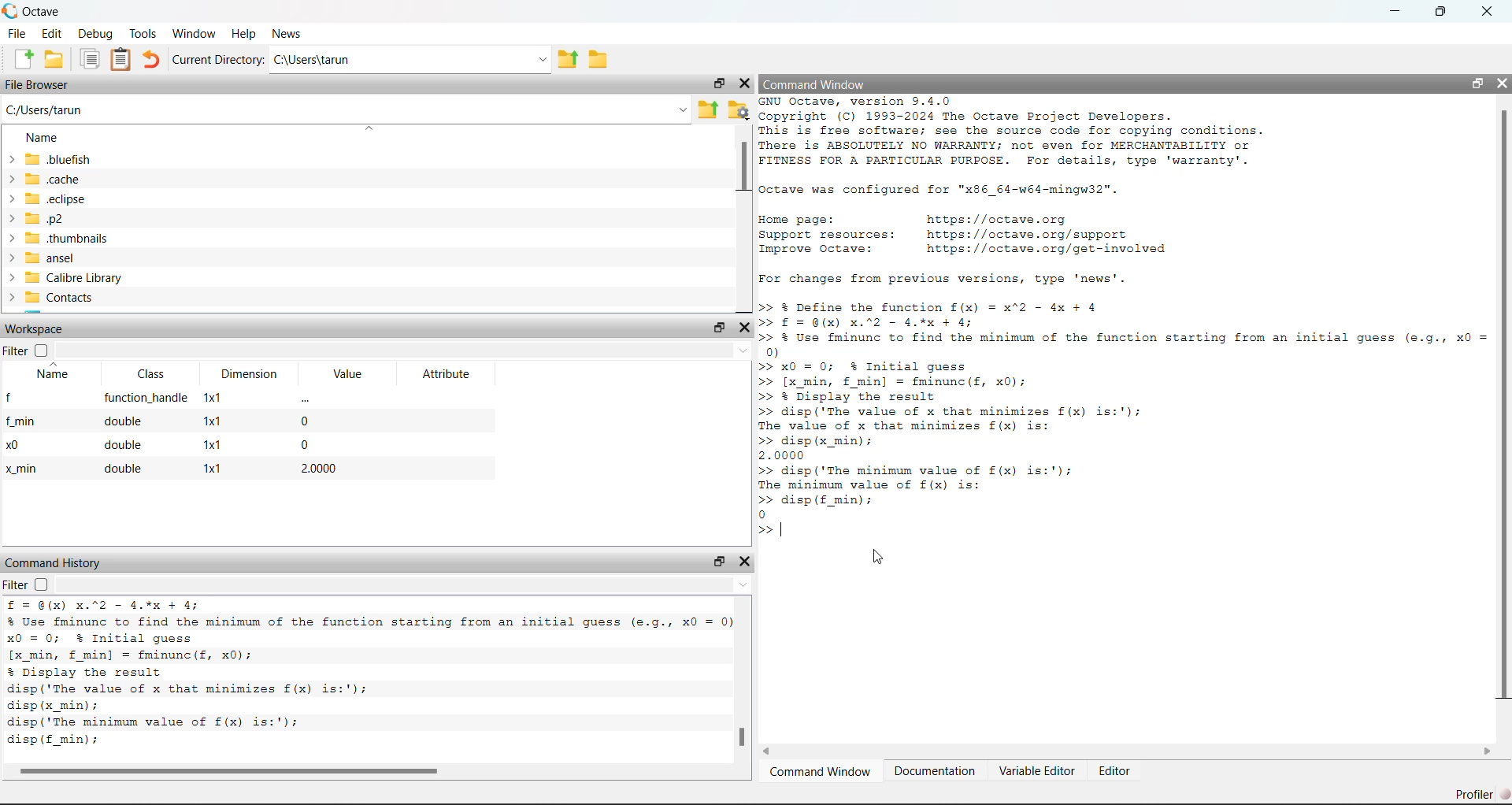  I want to click on Close, so click(1485, 14).